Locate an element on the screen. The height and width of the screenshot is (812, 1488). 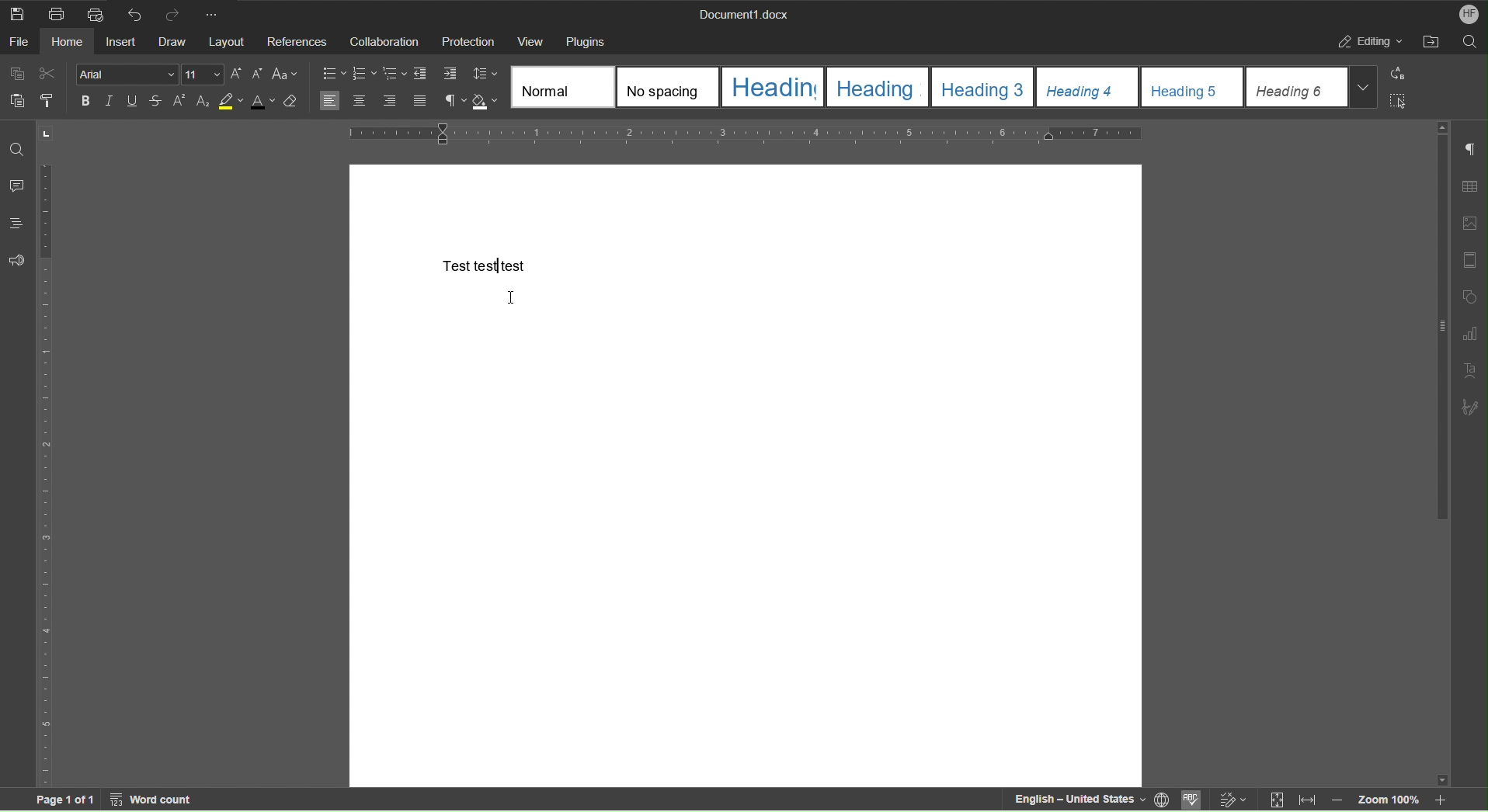
Reference is located at coordinates (295, 41).